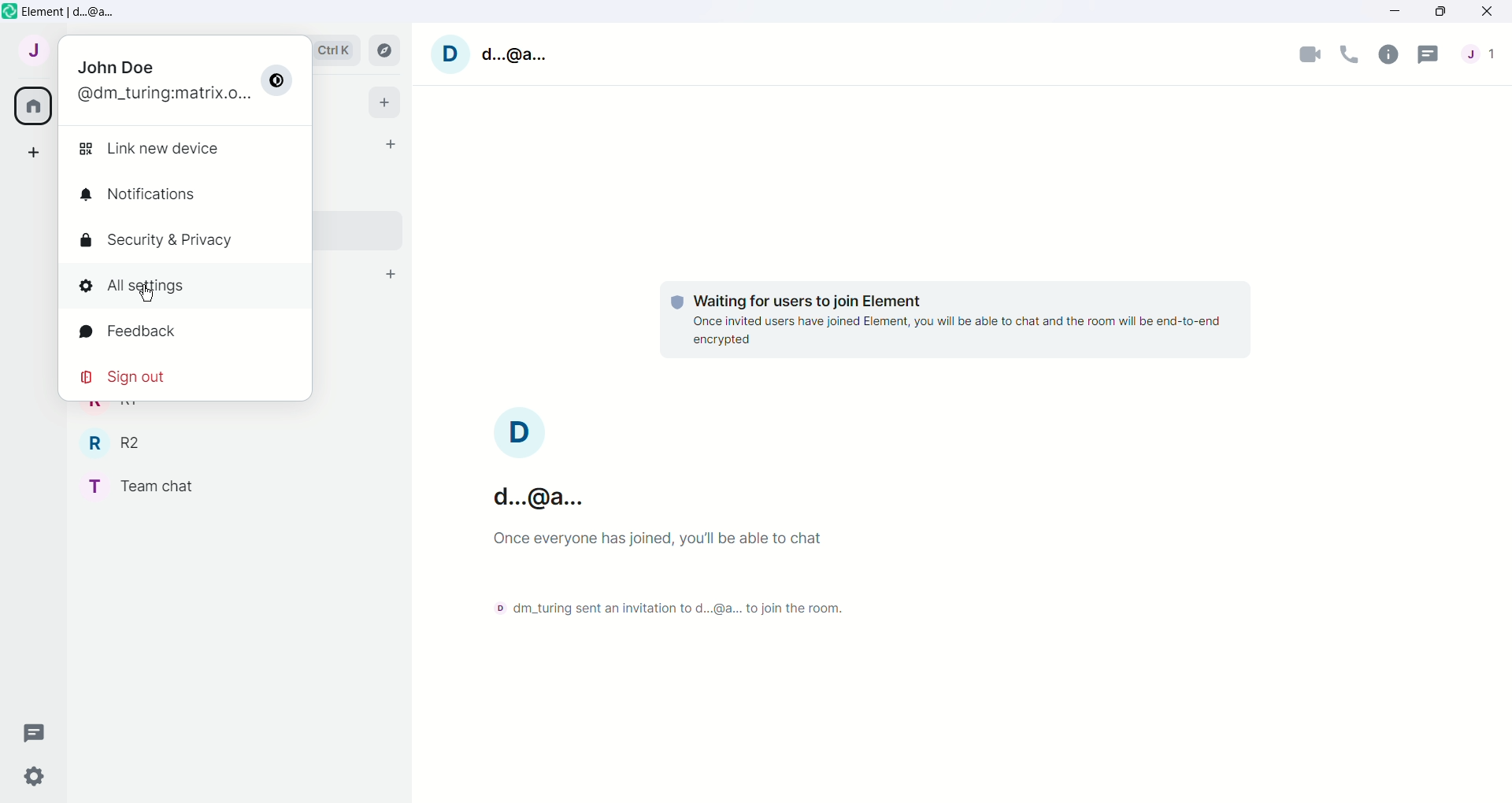 The width and height of the screenshot is (1512, 803). What do you see at coordinates (1443, 11) in the screenshot?
I see `Maximize` at bounding box center [1443, 11].